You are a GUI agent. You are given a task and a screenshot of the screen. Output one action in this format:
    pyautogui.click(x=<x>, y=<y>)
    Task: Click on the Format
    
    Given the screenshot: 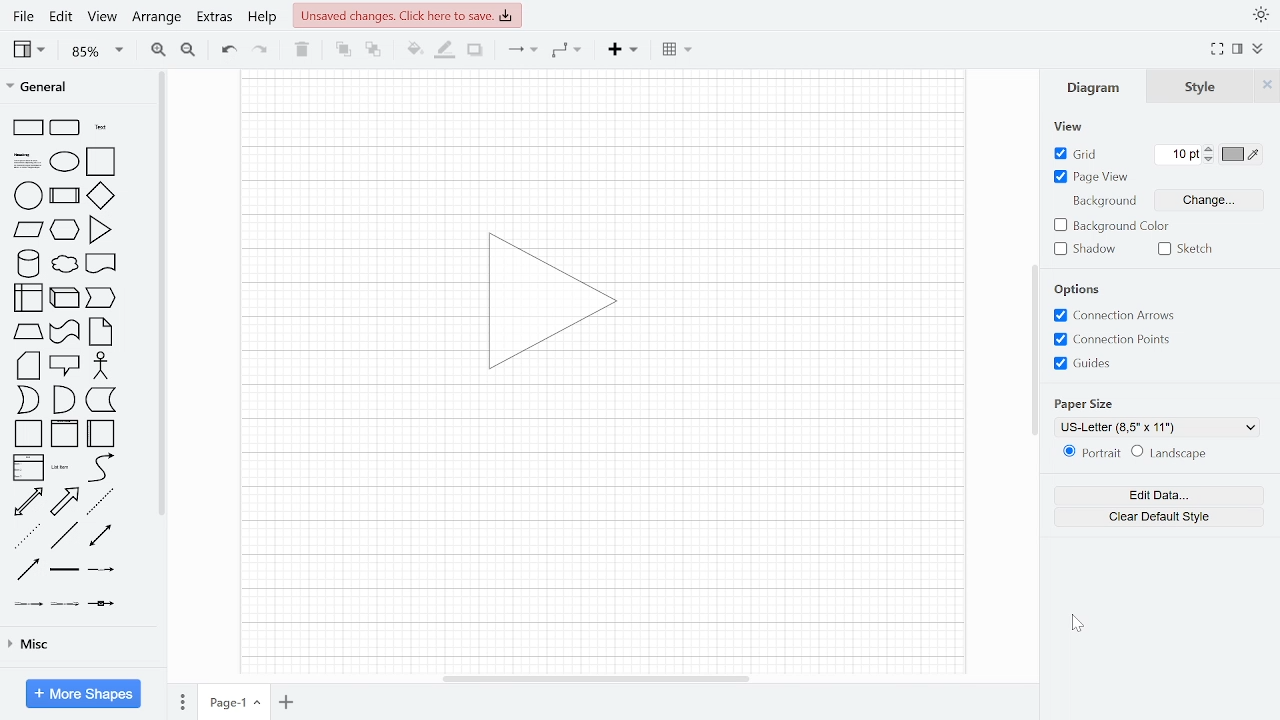 What is the action you would take?
    pyautogui.click(x=1238, y=48)
    